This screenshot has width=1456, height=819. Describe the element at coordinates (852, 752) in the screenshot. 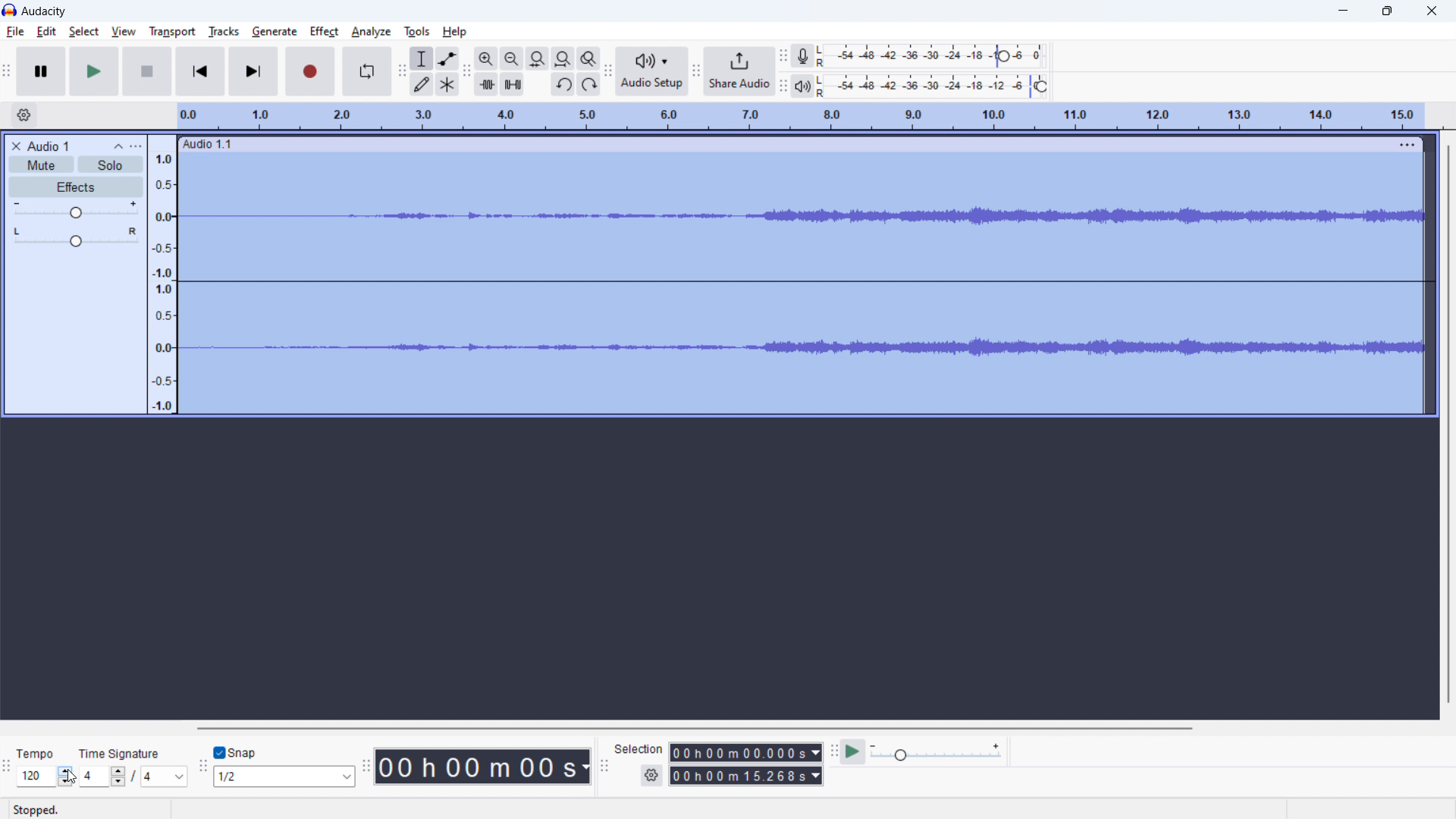

I see `play at speed` at that location.